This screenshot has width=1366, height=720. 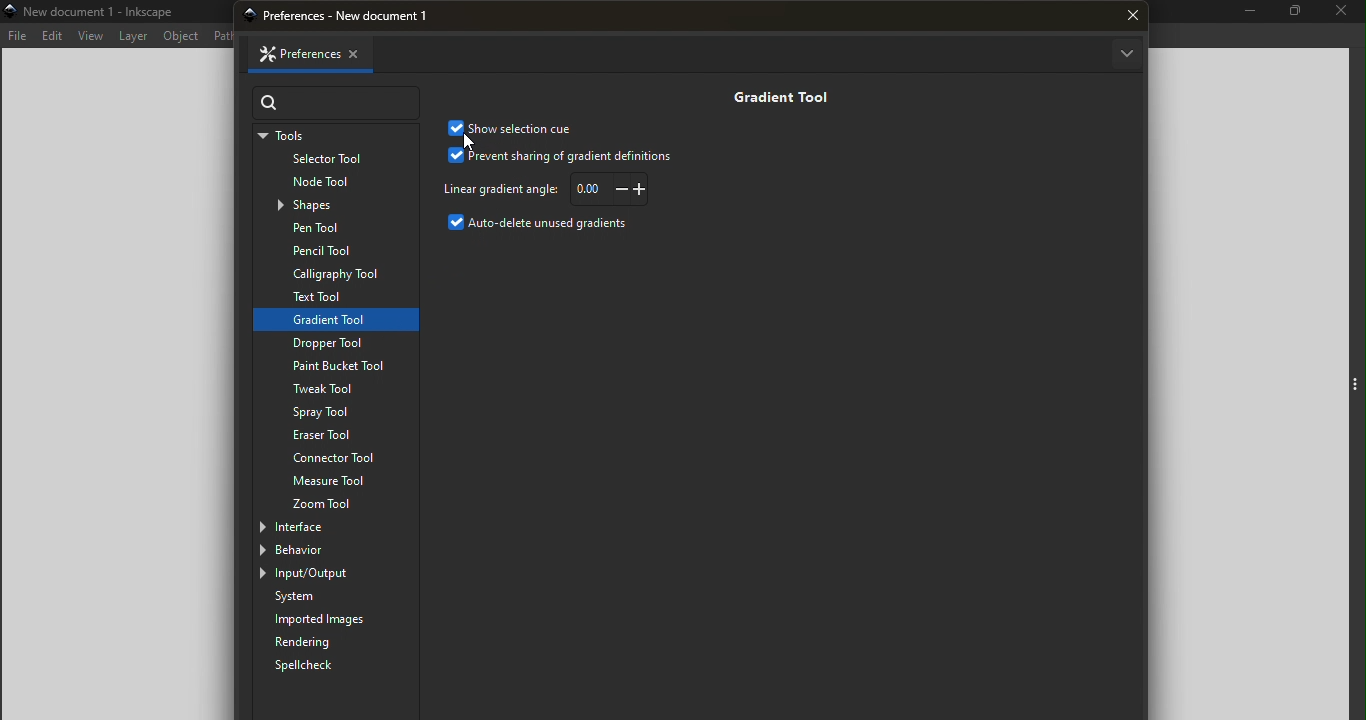 I want to click on Spray tool, so click(x=327, y=413).